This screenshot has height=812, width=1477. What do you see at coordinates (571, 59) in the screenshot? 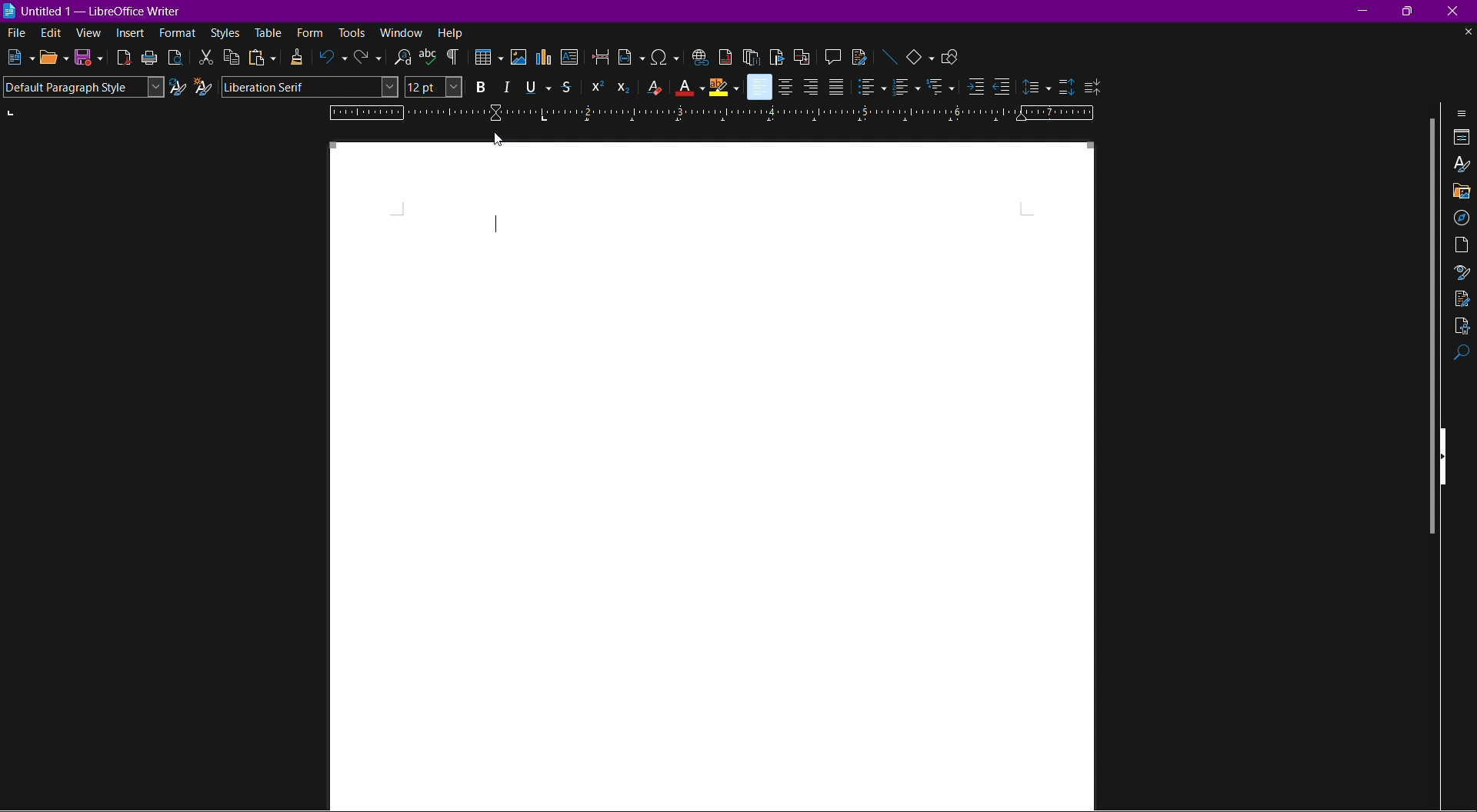
I see `Insert Text Box` at bounding box center [571, 59].